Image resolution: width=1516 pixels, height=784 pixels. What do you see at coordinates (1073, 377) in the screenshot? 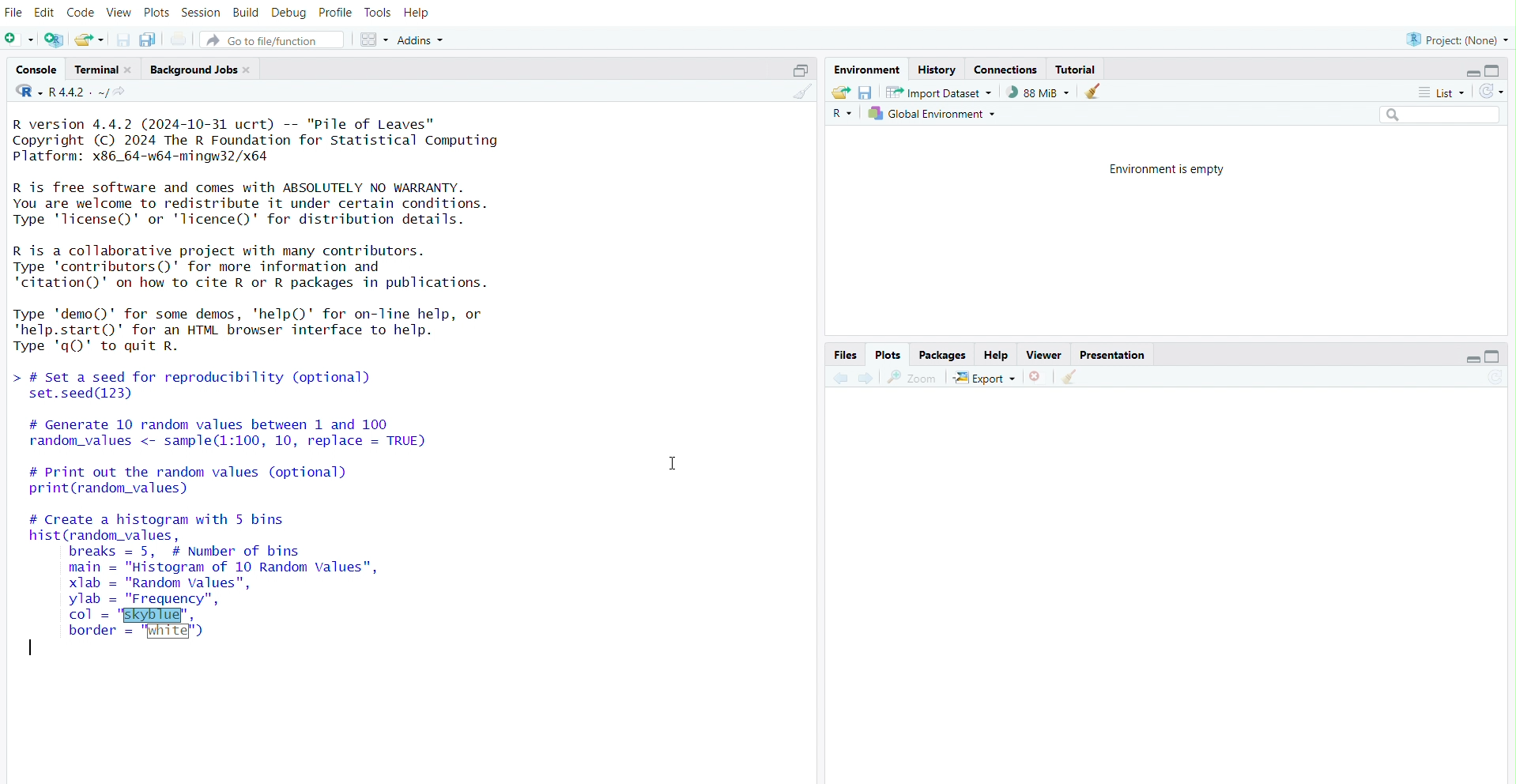
I see `clear all plots` at bounding box center [1073, 377].